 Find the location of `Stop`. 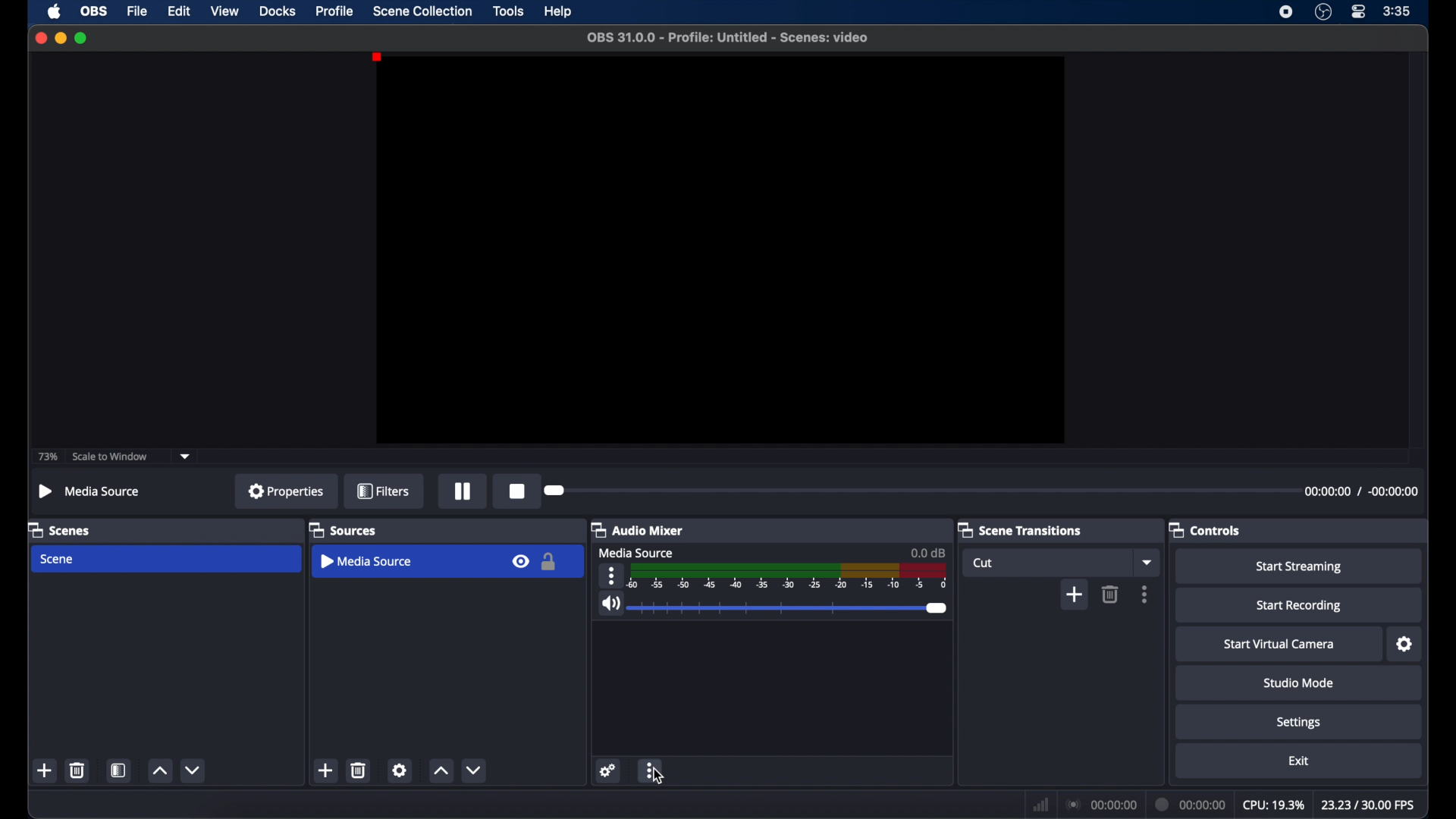

Stop is located at coordinates (513, 491).